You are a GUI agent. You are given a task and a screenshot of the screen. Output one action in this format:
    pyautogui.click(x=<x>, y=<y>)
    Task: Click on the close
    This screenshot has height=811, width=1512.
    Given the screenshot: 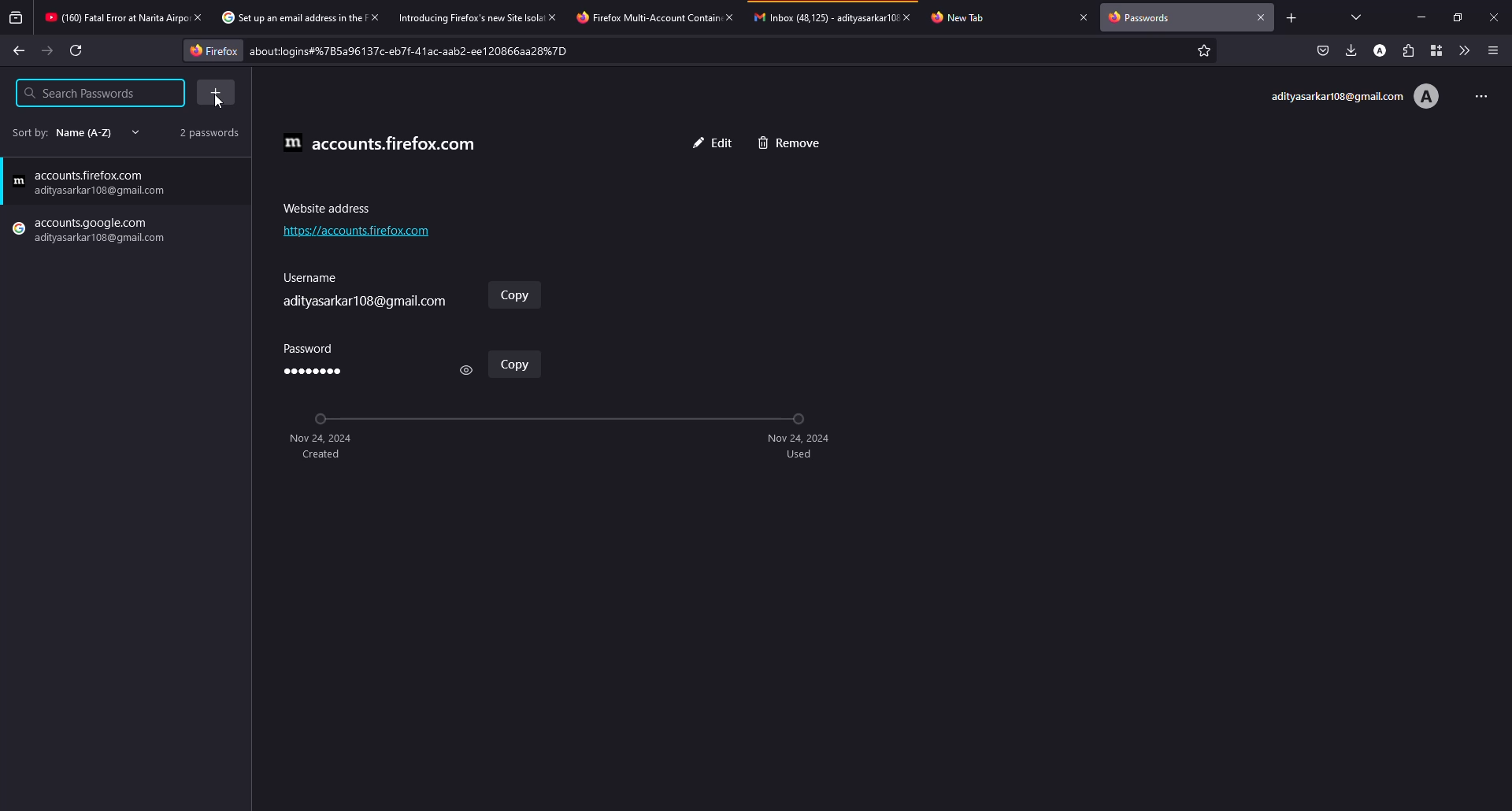 What is the action you would take?
    pyautogui.click(x=554, y=17)
    